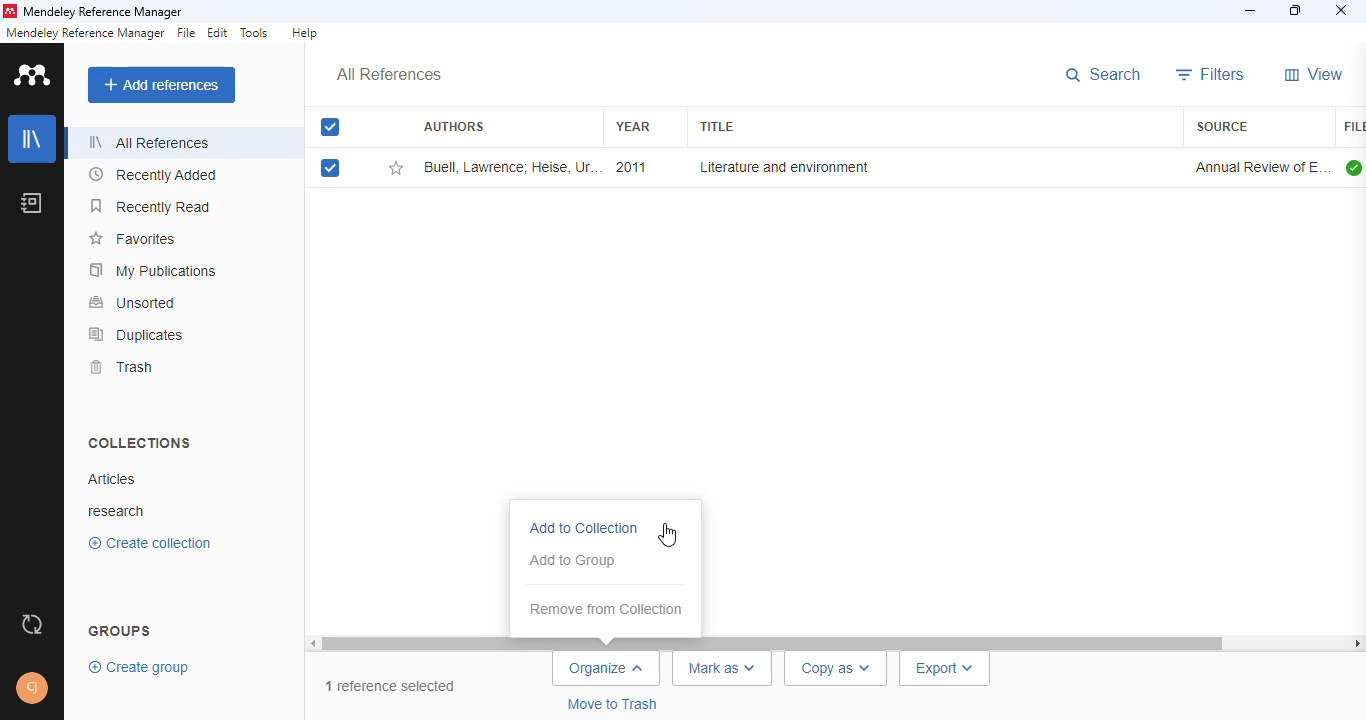 Image resolution: width=1366 pixels, height=720 pixels. What do you see at coordinates (150, 142) in the screenshot?
I see `all references` at bounding box center [150, 142].